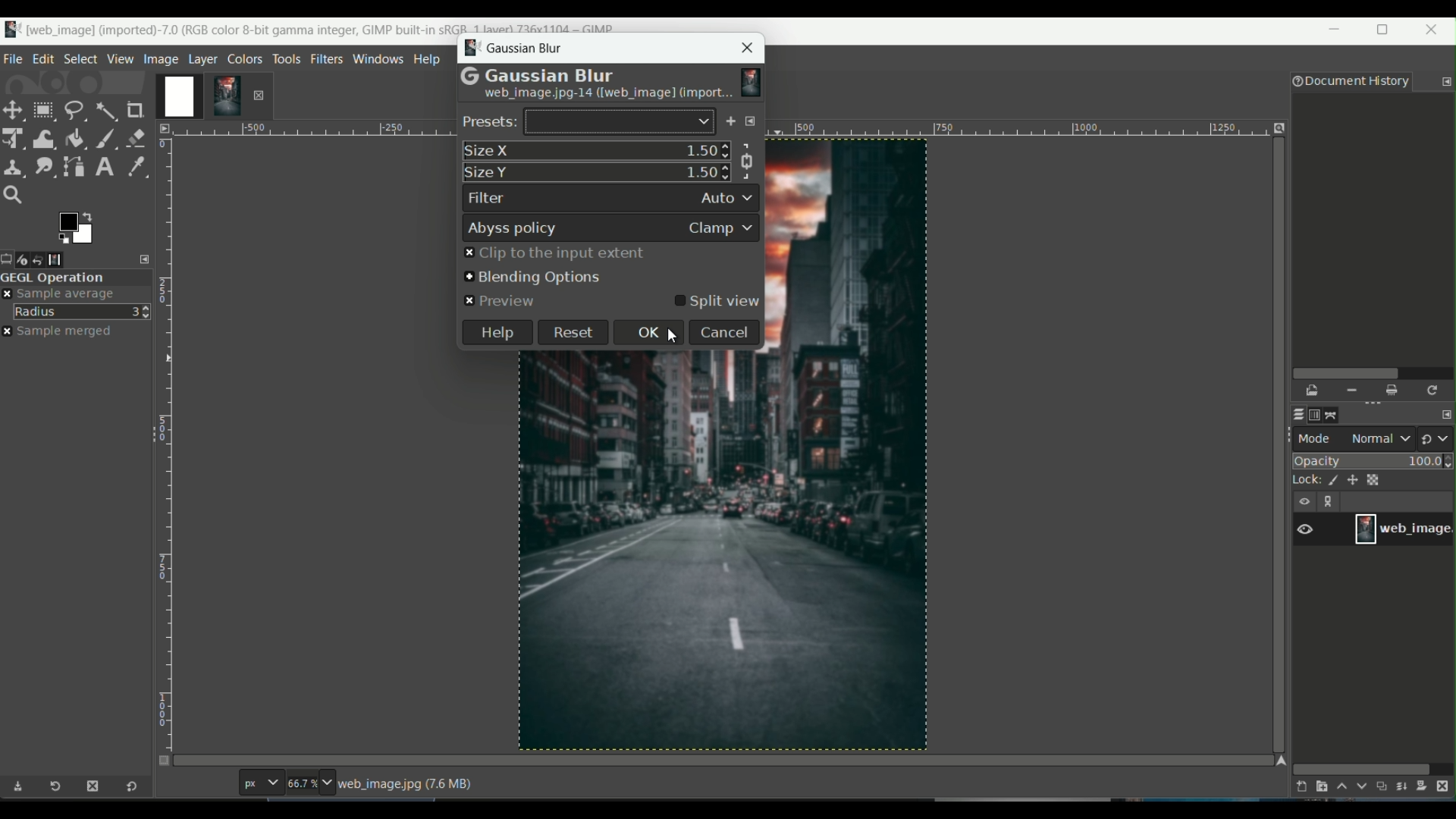  I want to click on preview, so click(501, 302).